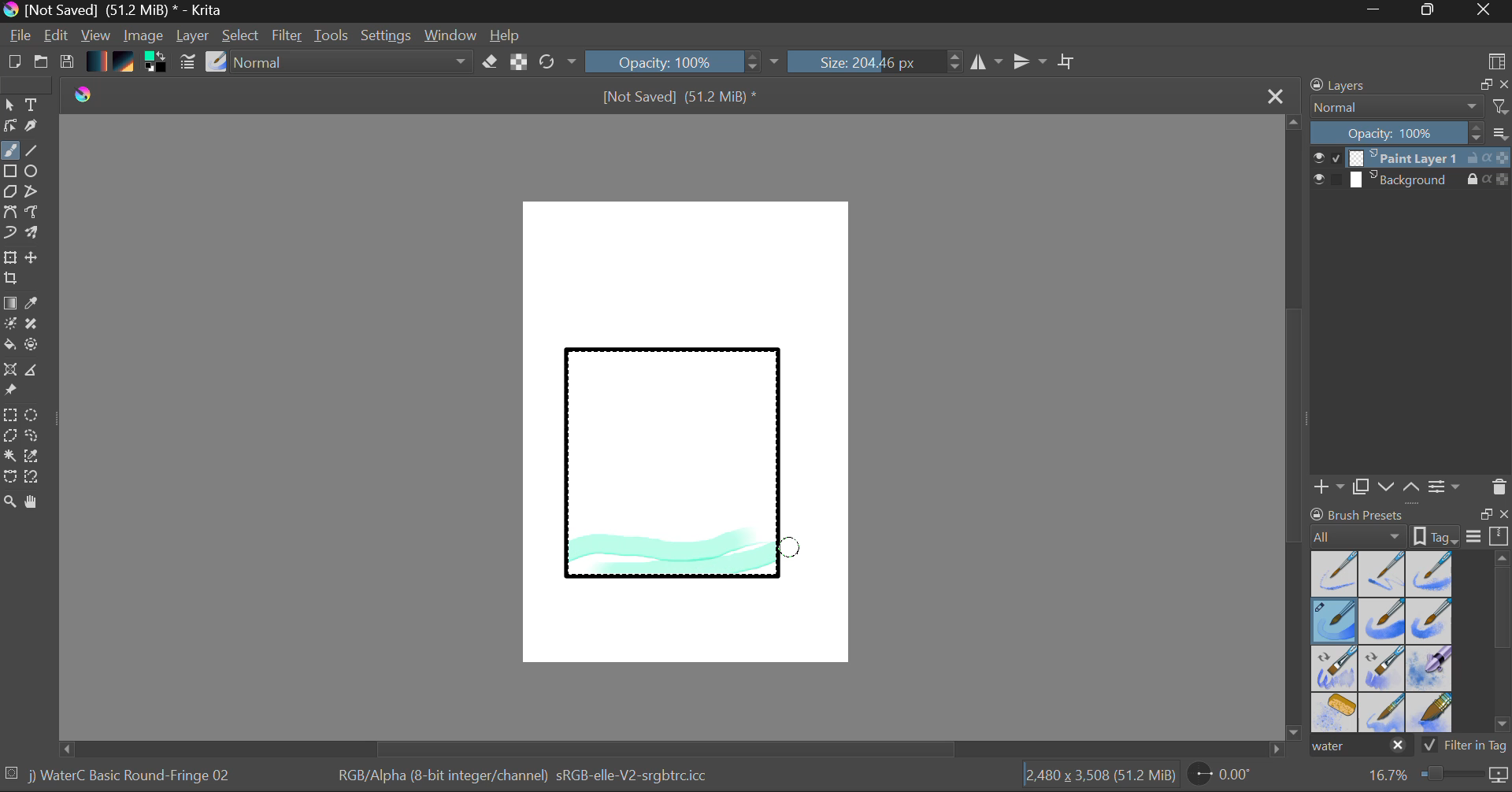 Image resolution: width=1512 pixels, height=792 pixels. What do you see at coordinates (684, 61) in the screenshot?
I see `Opacity` at bounding box center [684, 61].